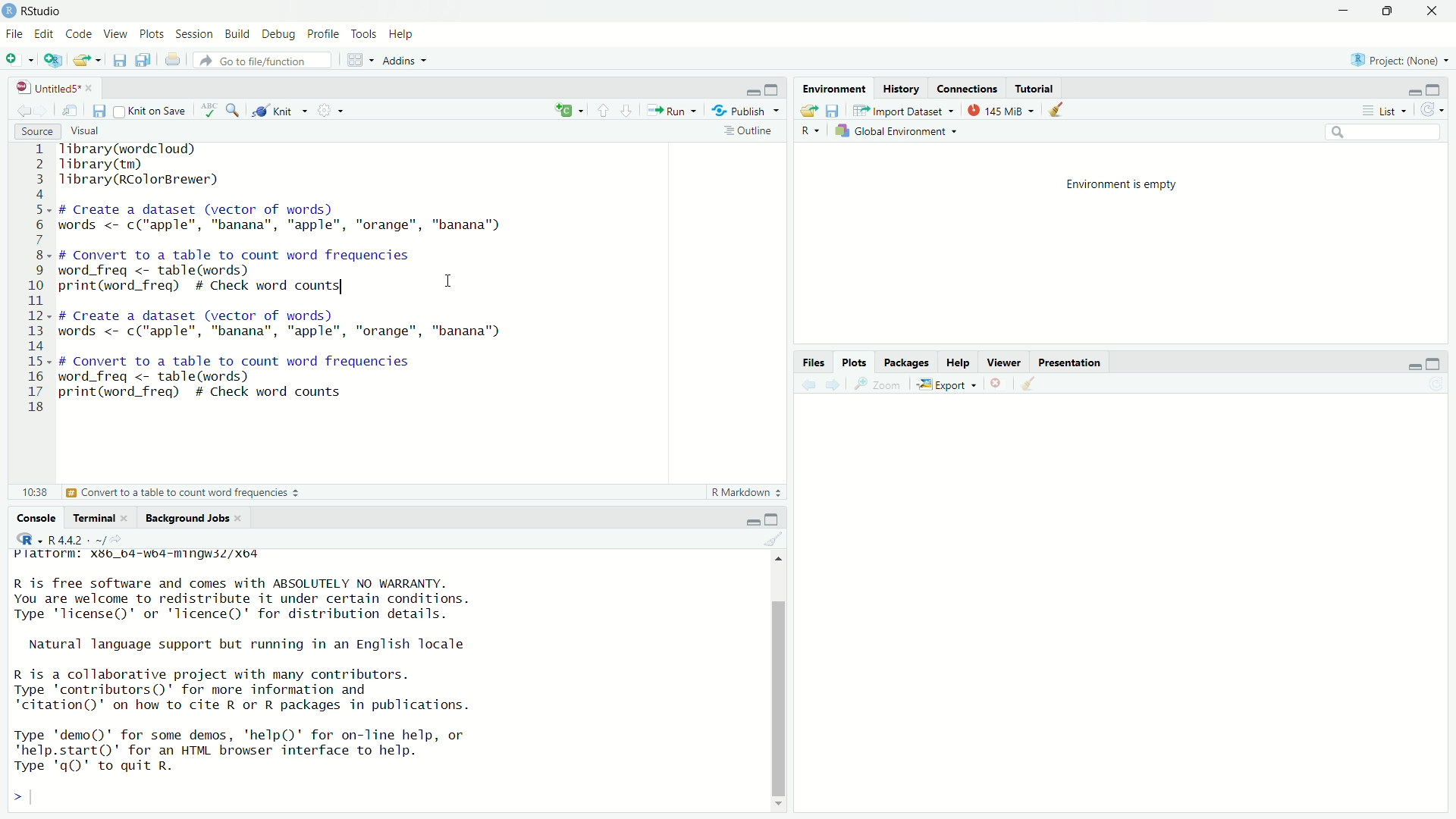 The image size is (1456, 819). What do you see at coordinates (231, 109) in the screenshot?
I see `Find/Replace` at bounding box center [231, 109].